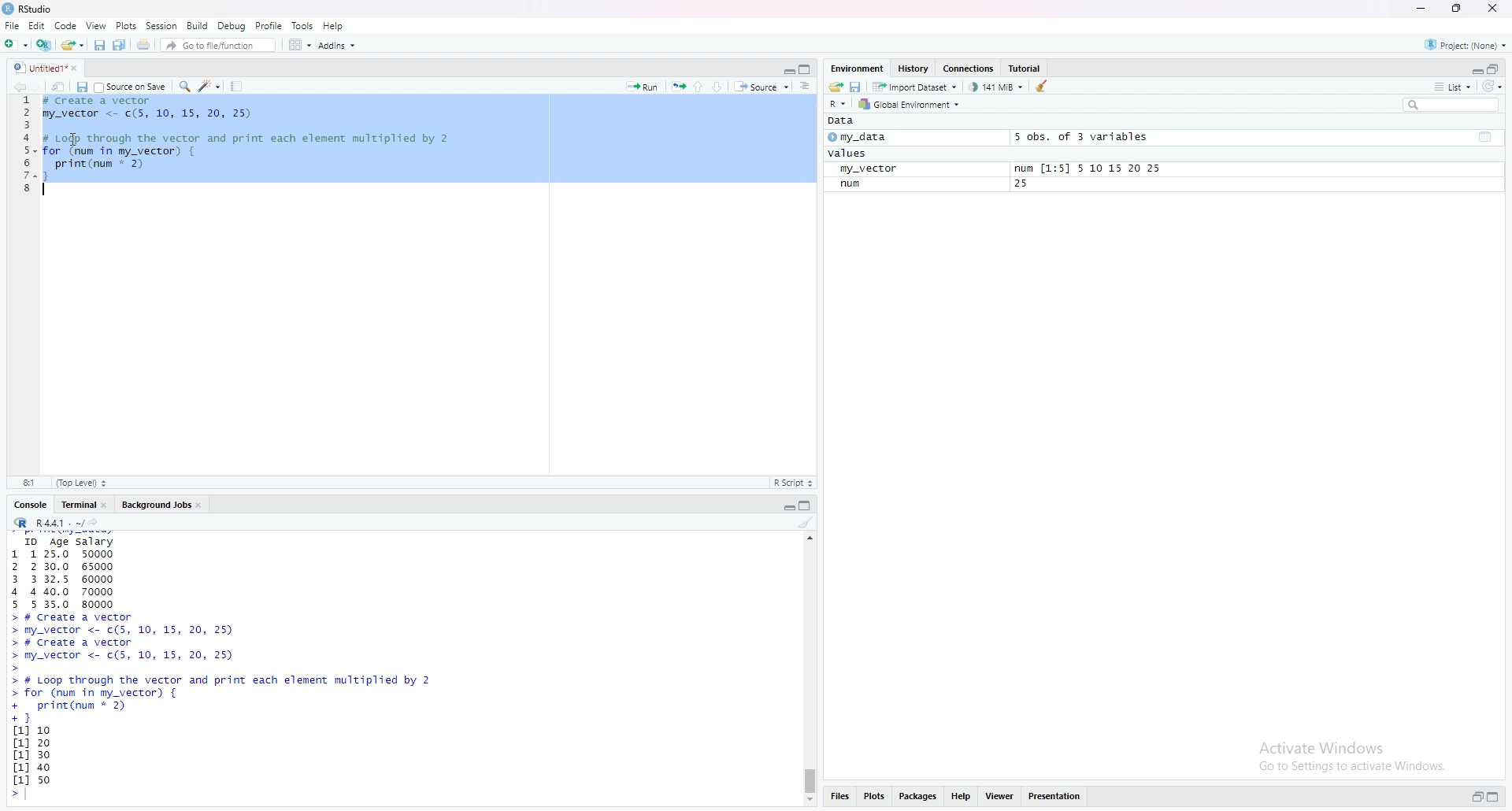 The height and width of the screenshot is (811, 1512). What do you see at coordinates (1081, 137) in the screenshot?
I see `5 obs. of 3 variables` at bounding box center [1081, 137].